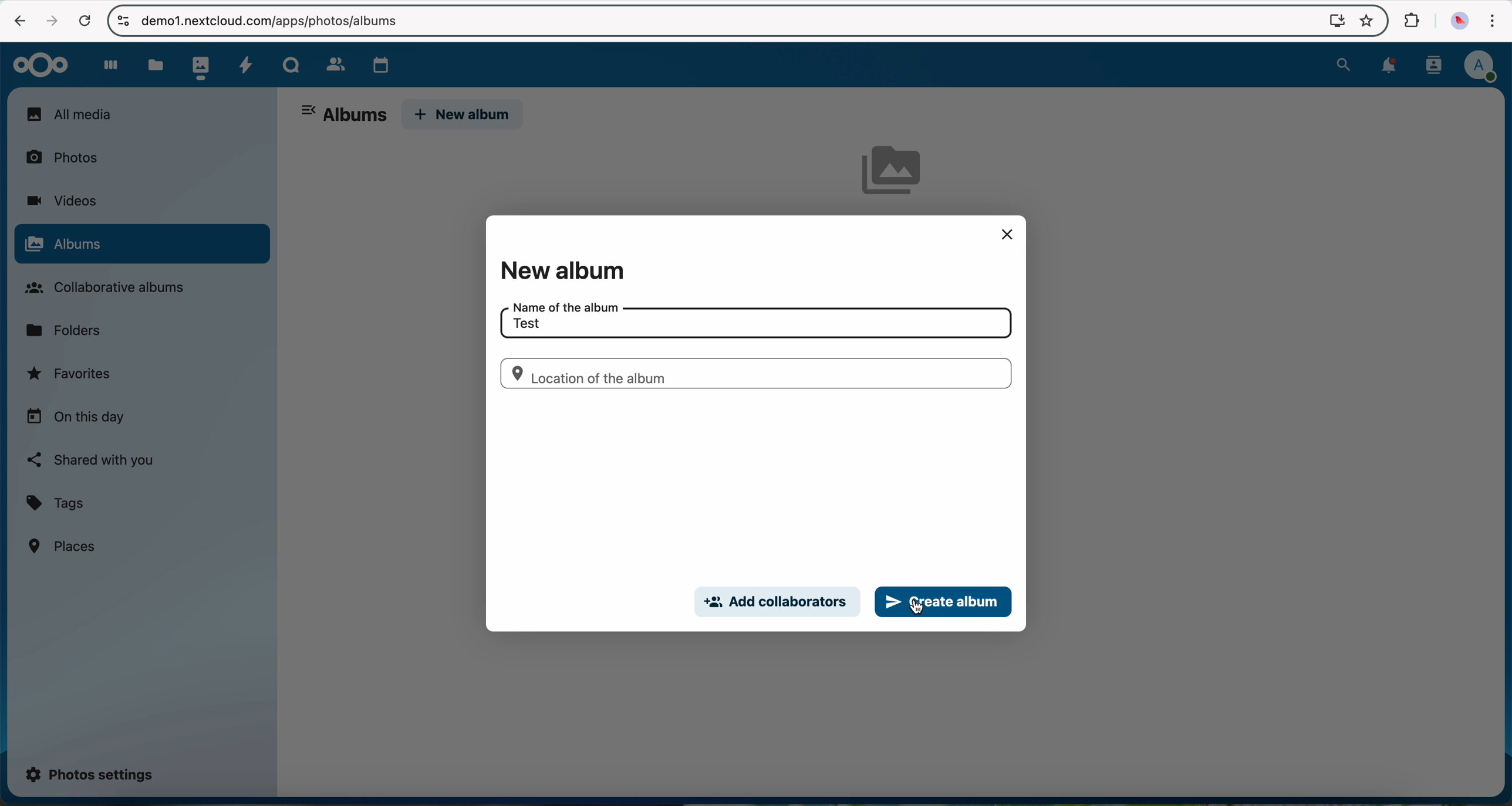 This screenshot has width=1512, height=806. What do you see at coordinates (1331, 20) in the screenshot?
I see `screen` at bounding box center [1331, 20].